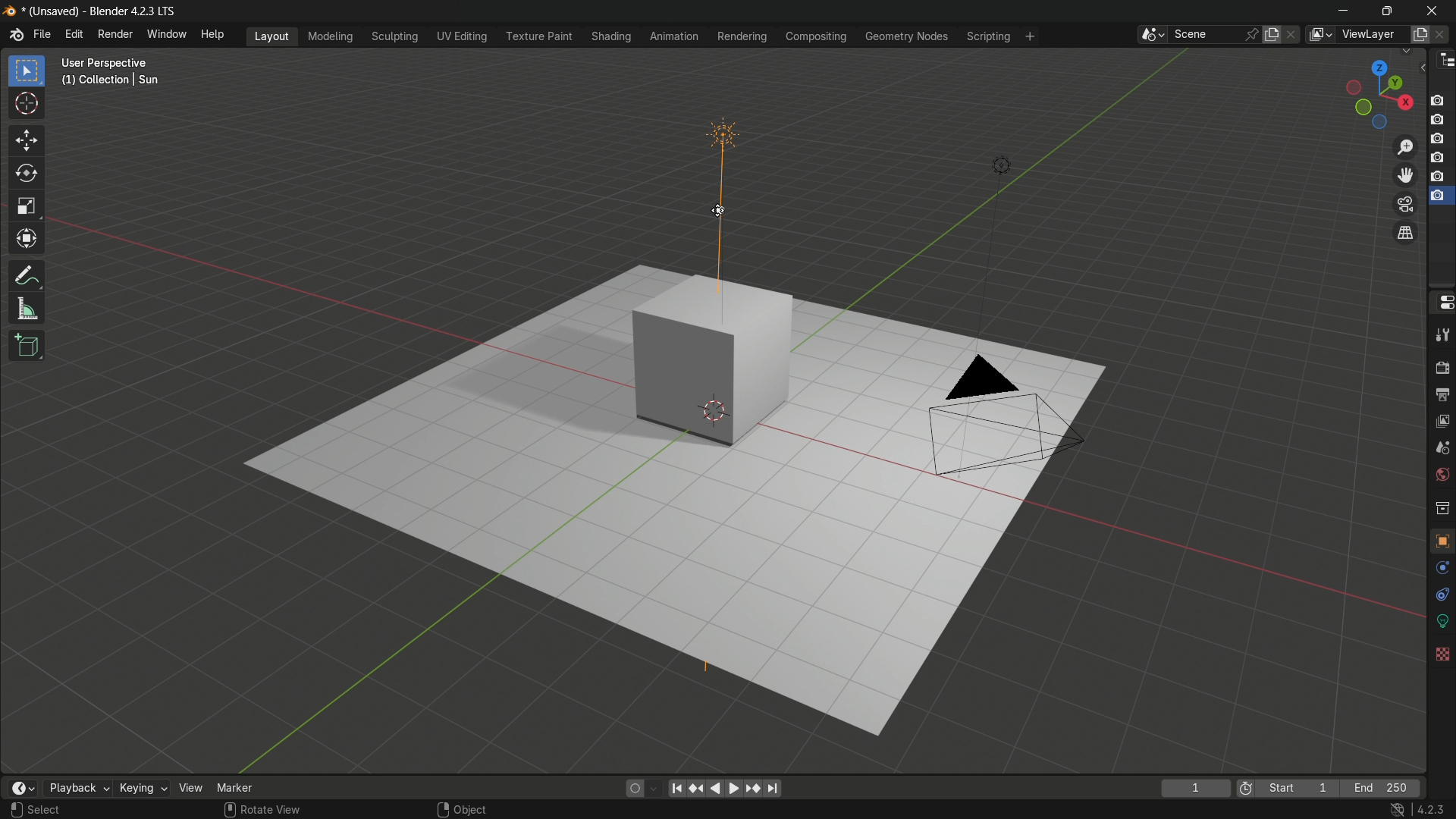 The height and width of the screenshot is (819, 1456). Describe the element at coordinates (189, 787) in the screenshot. I see `view` at that location.